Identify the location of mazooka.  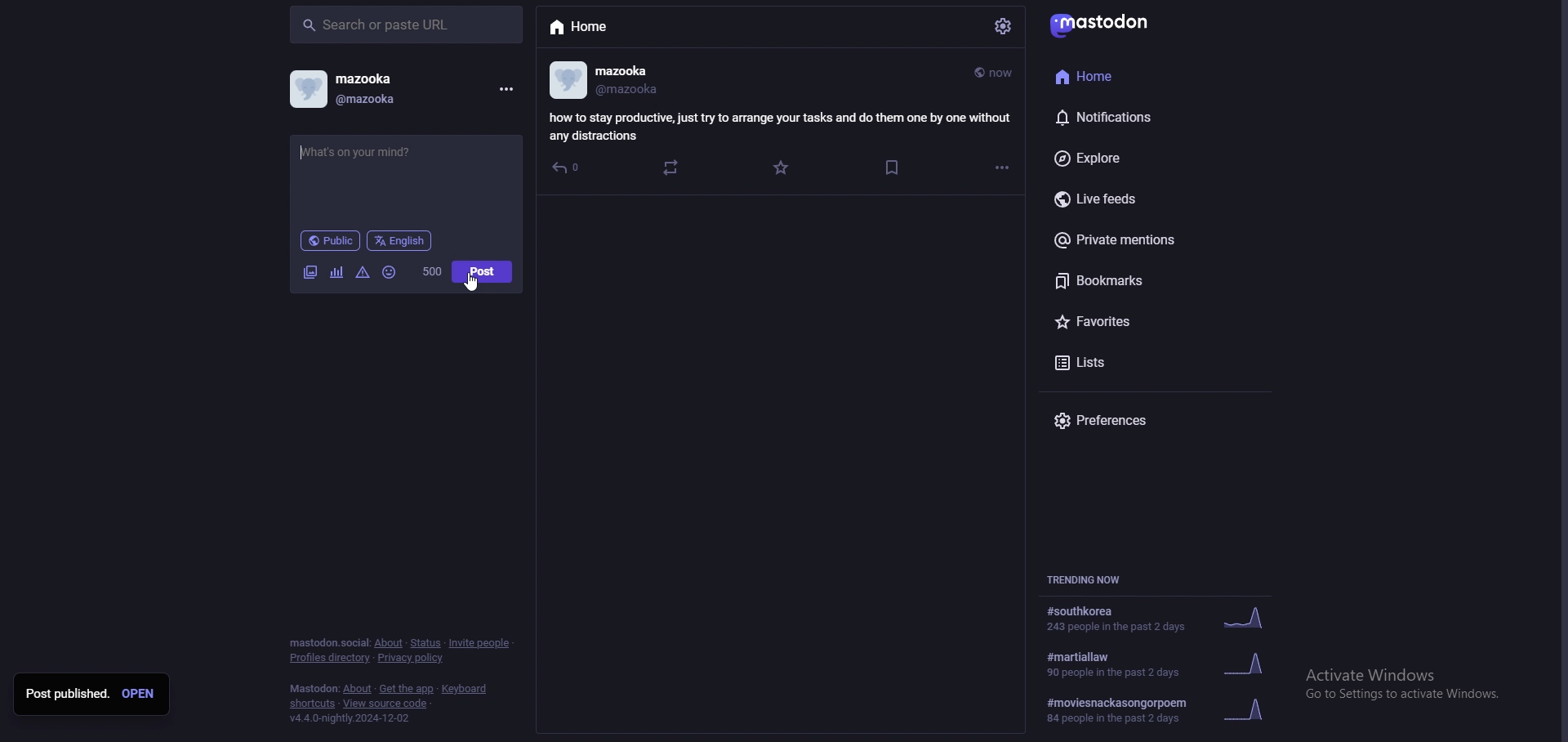
(635, 70).